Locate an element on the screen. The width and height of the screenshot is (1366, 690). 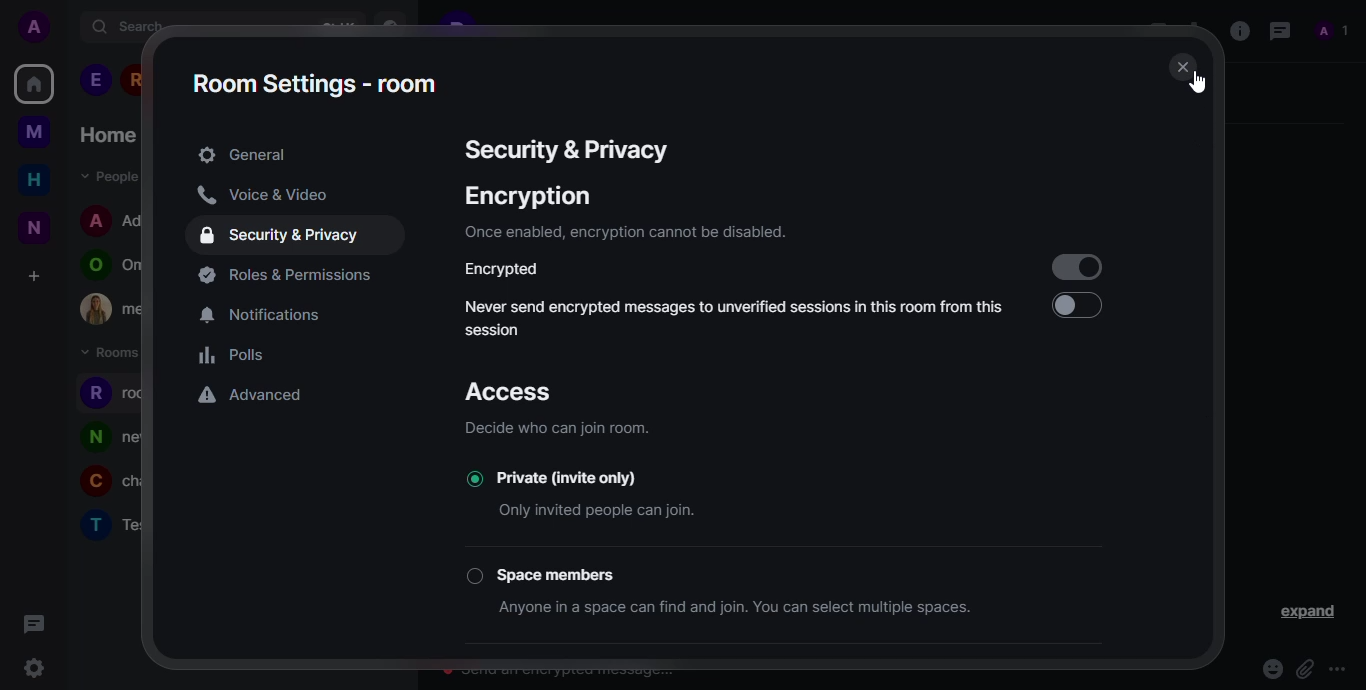
Security & Privacy is located at coordinates (290, 239).